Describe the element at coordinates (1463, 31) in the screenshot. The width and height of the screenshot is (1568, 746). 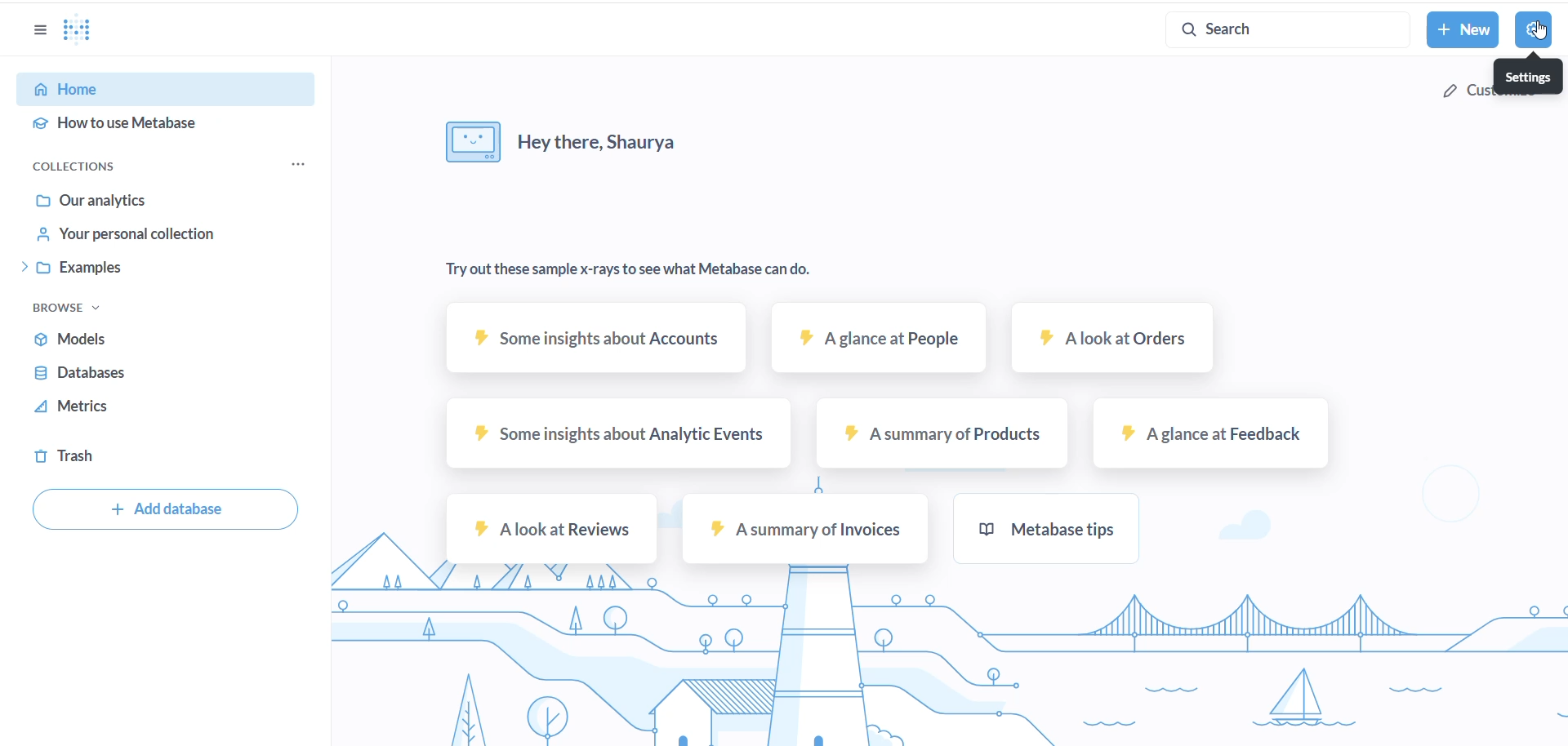
I see `new button` at that location.